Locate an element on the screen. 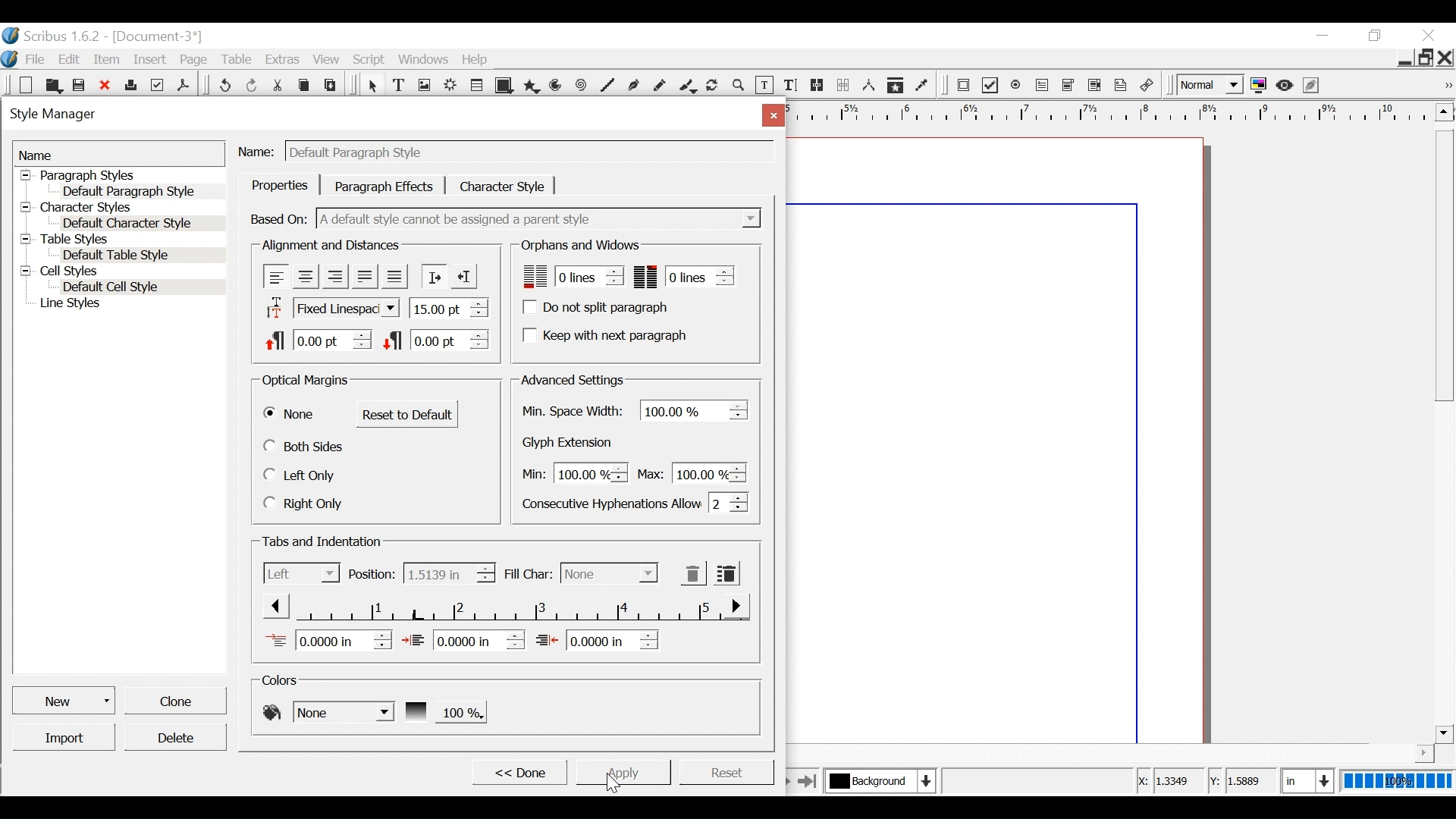 The image size is (1456, 819). Copy items properties is located at coordinates (895, 86).